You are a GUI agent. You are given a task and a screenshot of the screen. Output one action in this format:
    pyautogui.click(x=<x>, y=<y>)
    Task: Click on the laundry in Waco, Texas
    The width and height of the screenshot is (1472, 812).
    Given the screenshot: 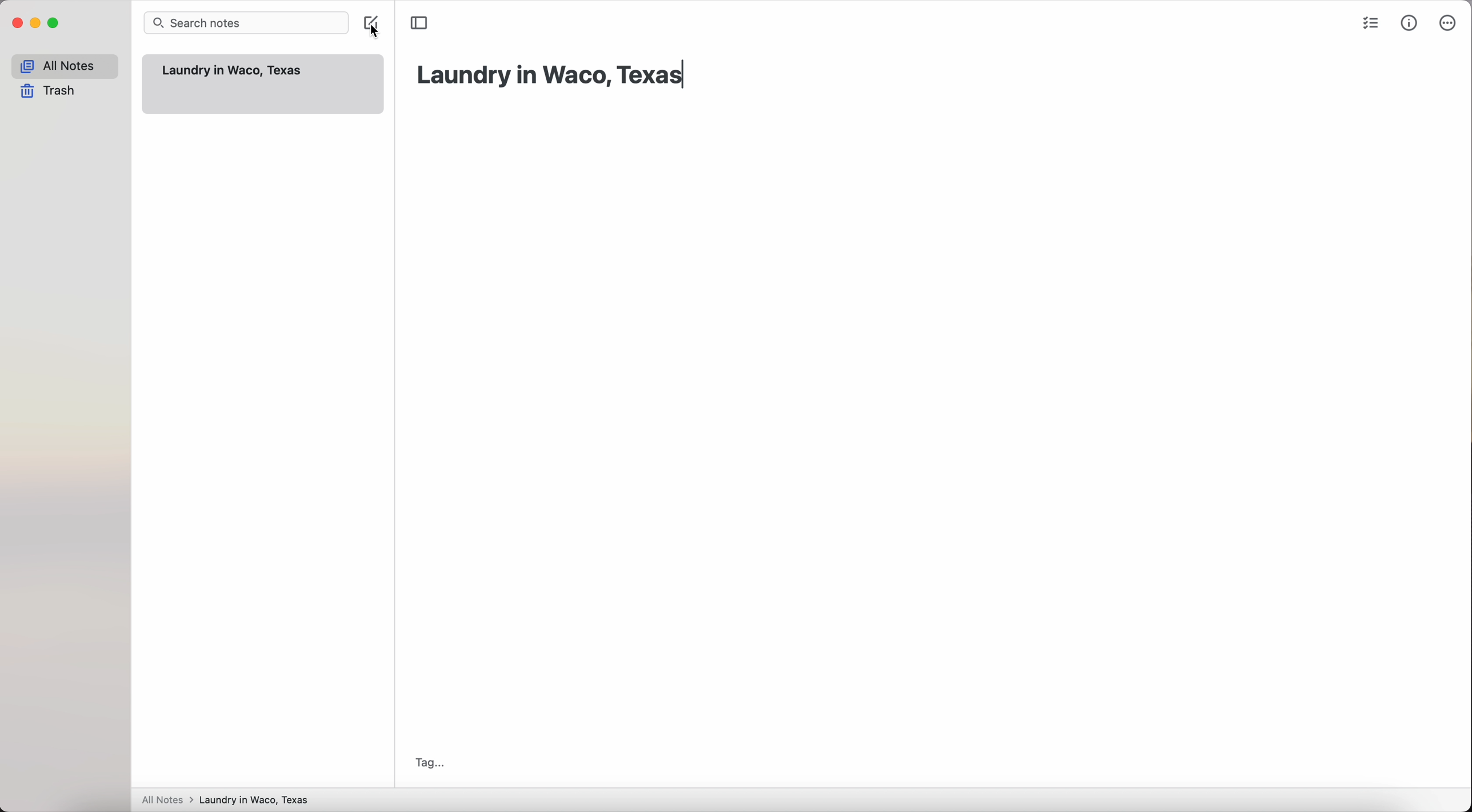 What is the action you would take?
    pyautogui.click(x=551, y=75)
    